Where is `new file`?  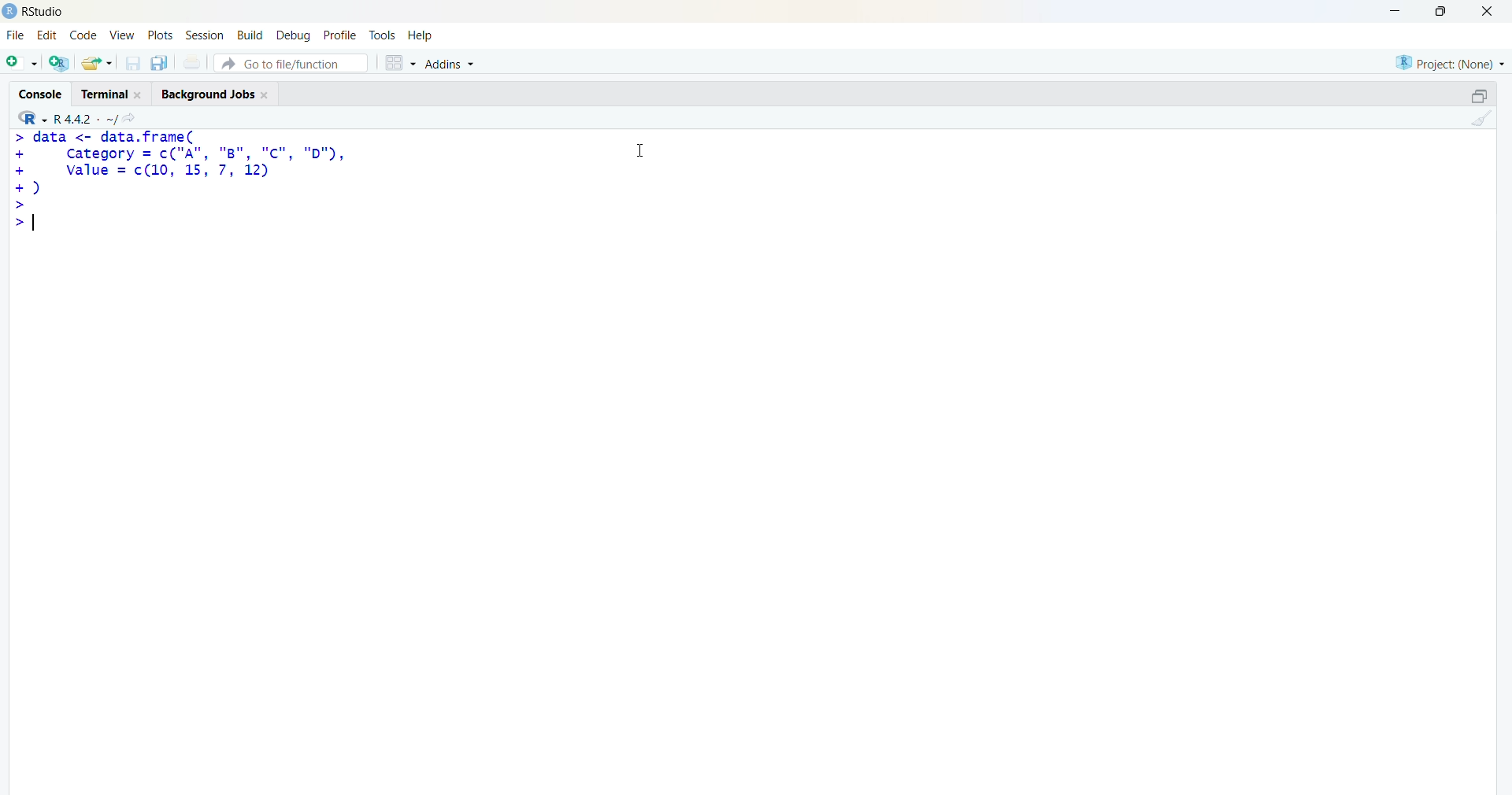
new file is located at coordinates (21, 61).